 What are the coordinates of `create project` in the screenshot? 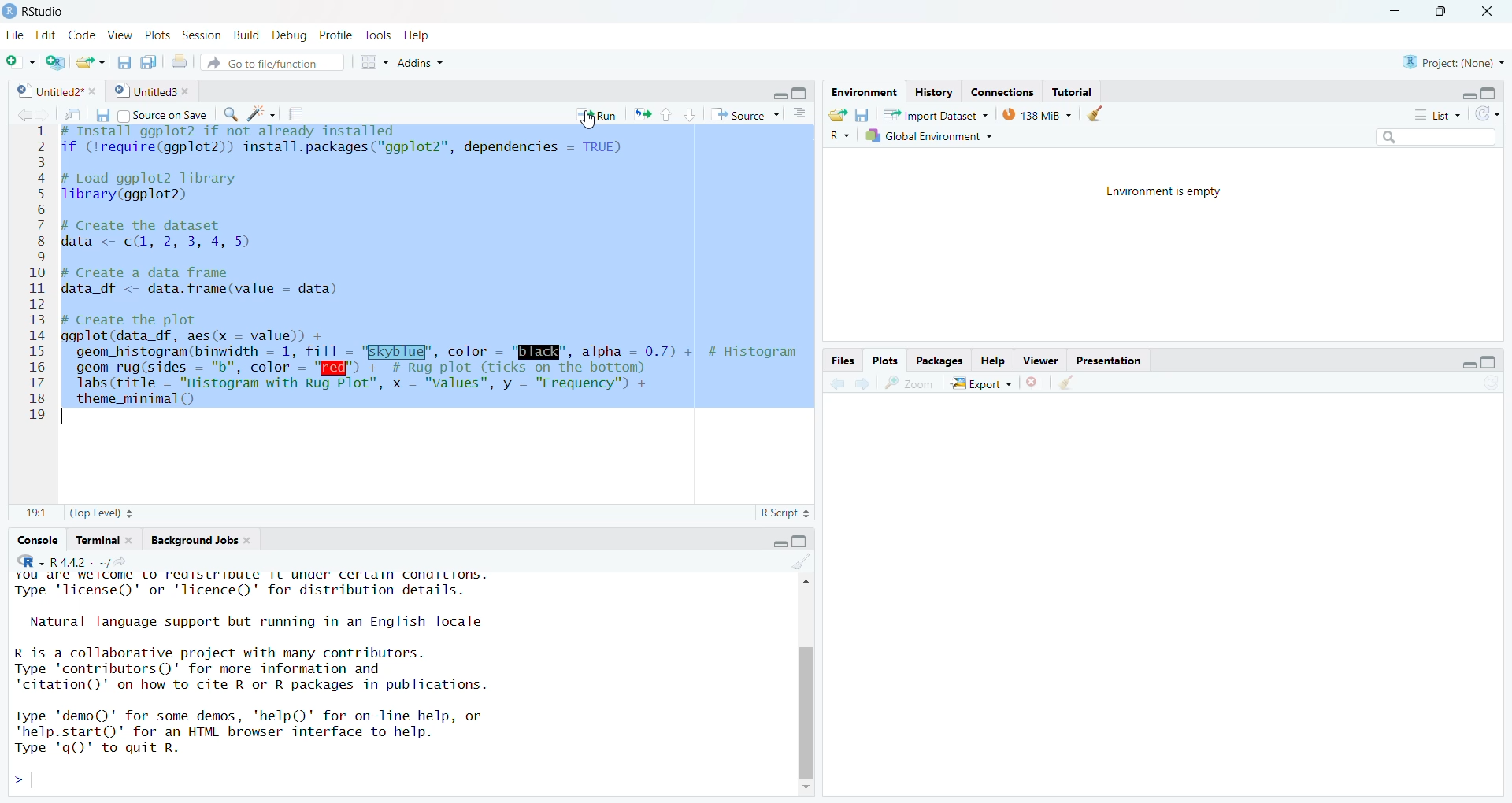 It's located at (54, 62).